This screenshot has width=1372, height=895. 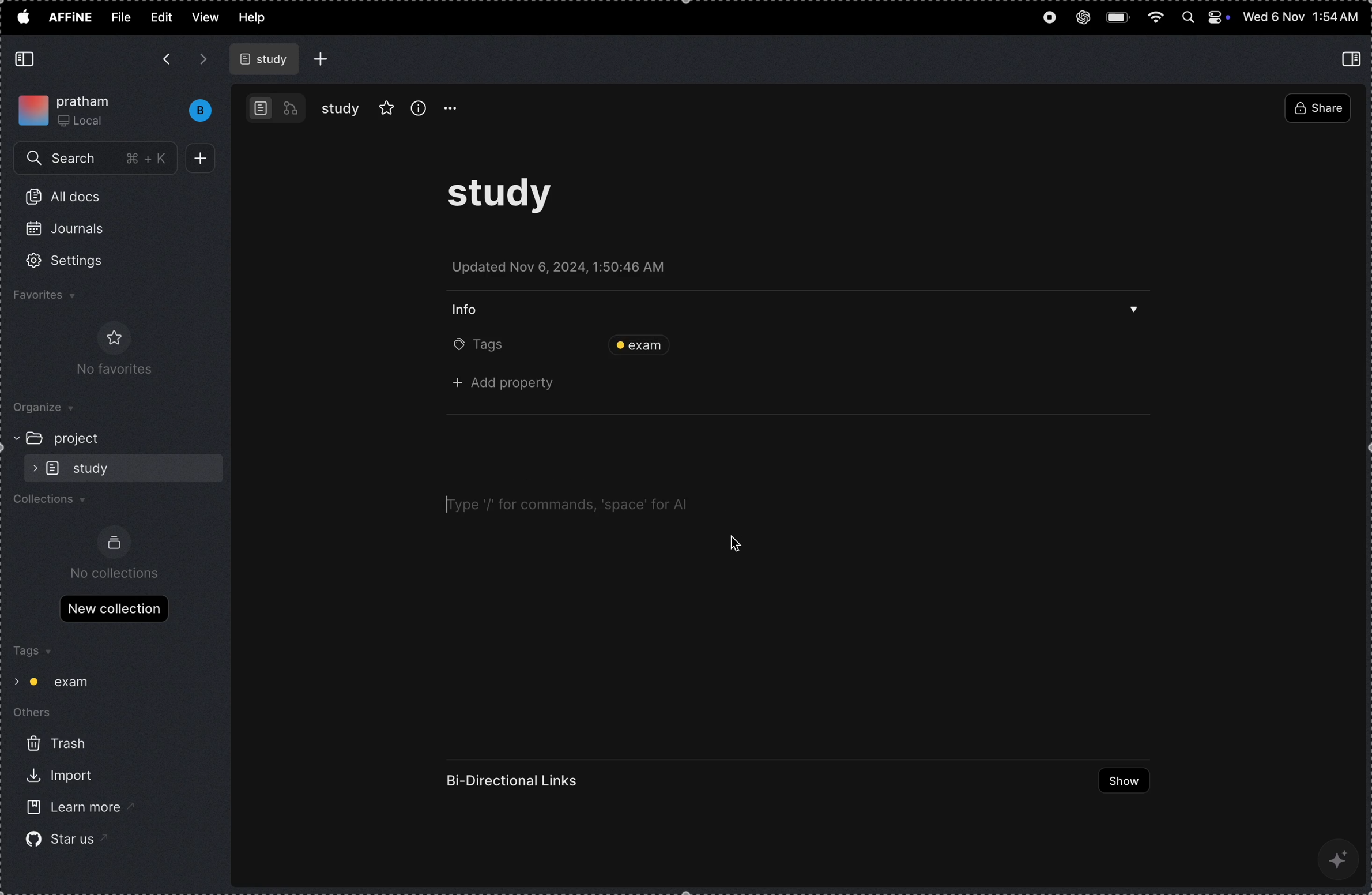 I want to click on share, so click(x=1317, y=110).